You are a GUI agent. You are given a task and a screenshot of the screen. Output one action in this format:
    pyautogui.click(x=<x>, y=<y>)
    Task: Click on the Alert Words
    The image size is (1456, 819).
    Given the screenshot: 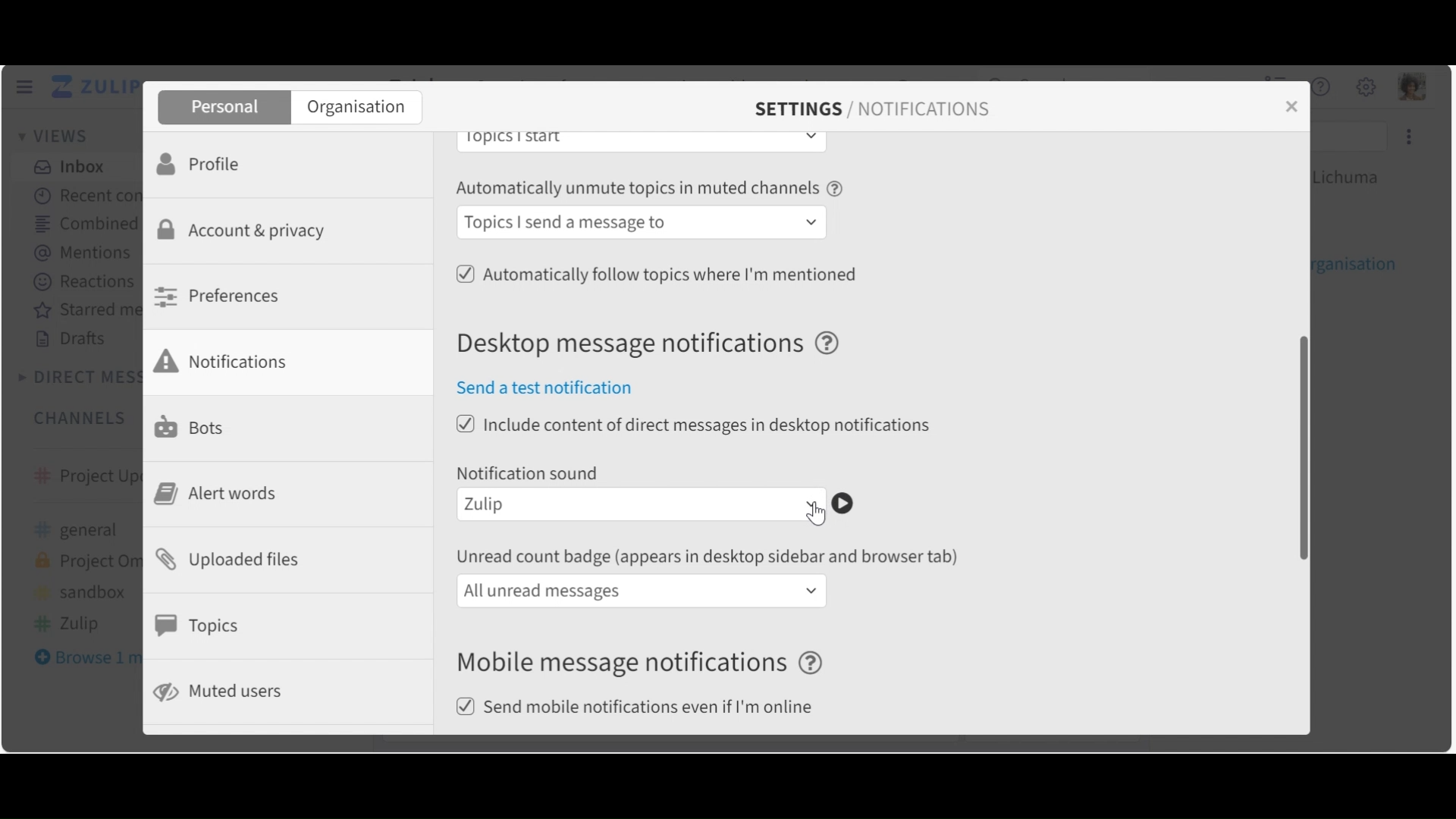 What is the action you would take?
    pyautogui.click(x=221, y=494)
    